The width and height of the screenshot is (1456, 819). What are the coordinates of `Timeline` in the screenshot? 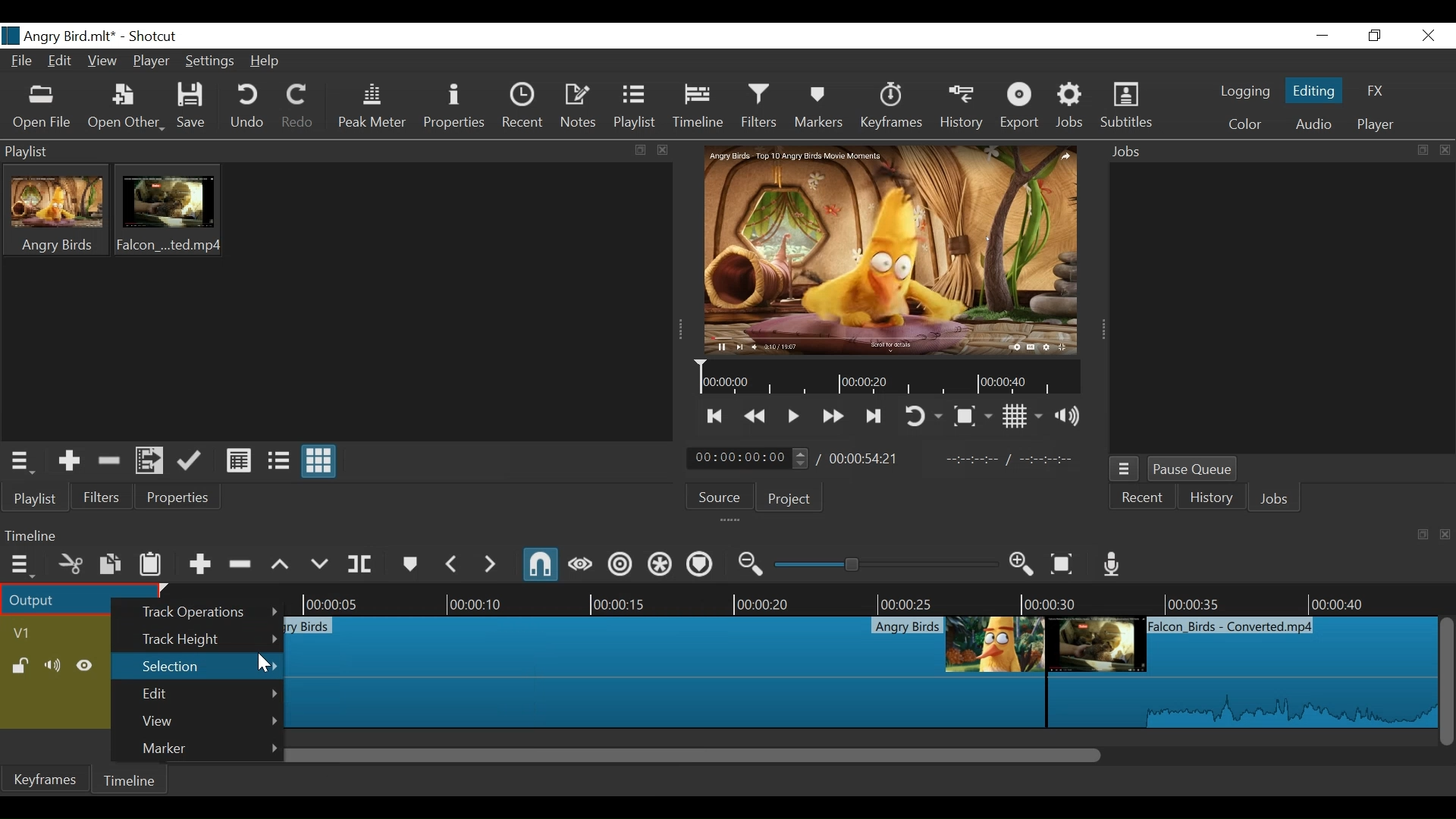 It's located at (130, 780).